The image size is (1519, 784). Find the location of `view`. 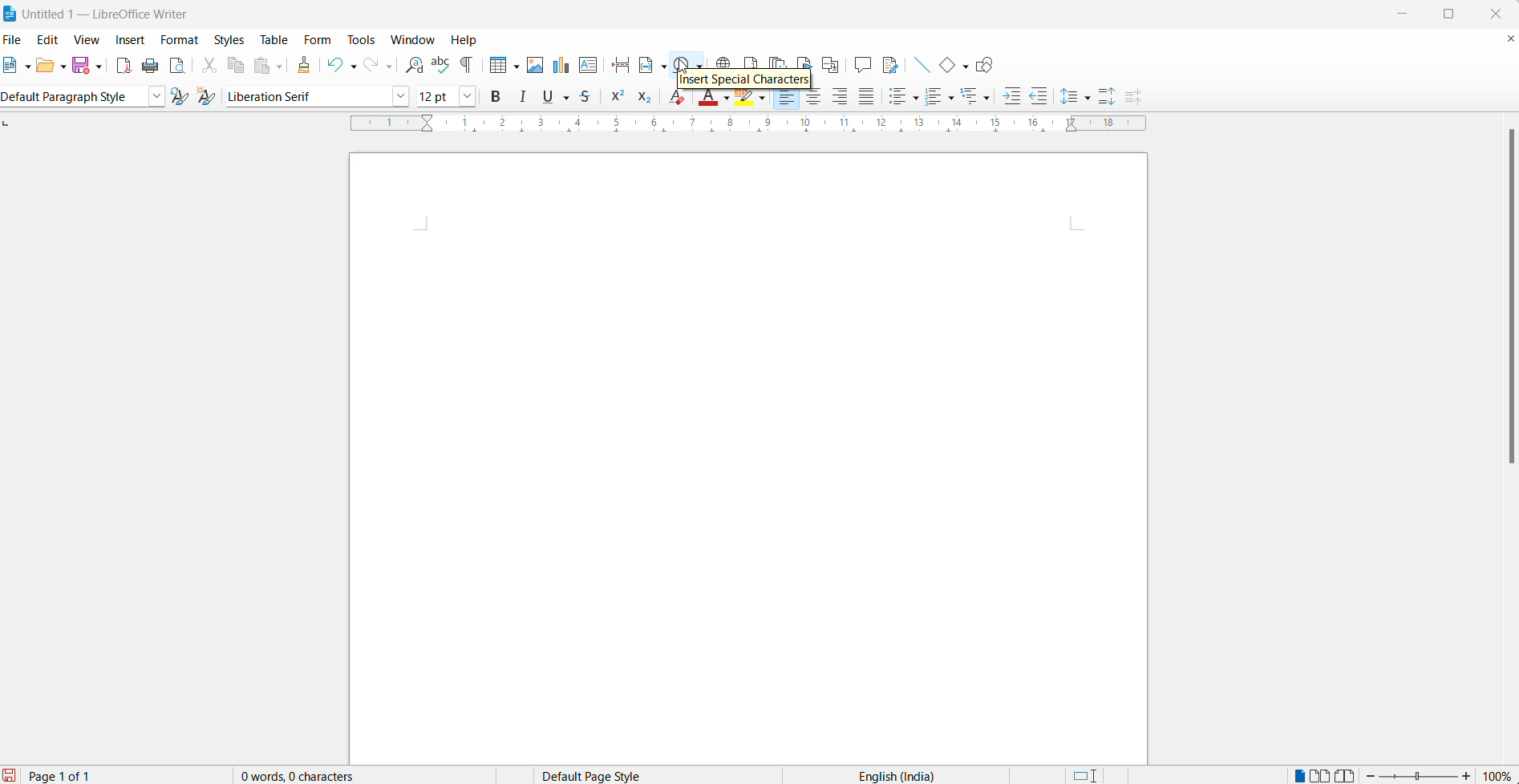

view is located at coordinates (91, 40).